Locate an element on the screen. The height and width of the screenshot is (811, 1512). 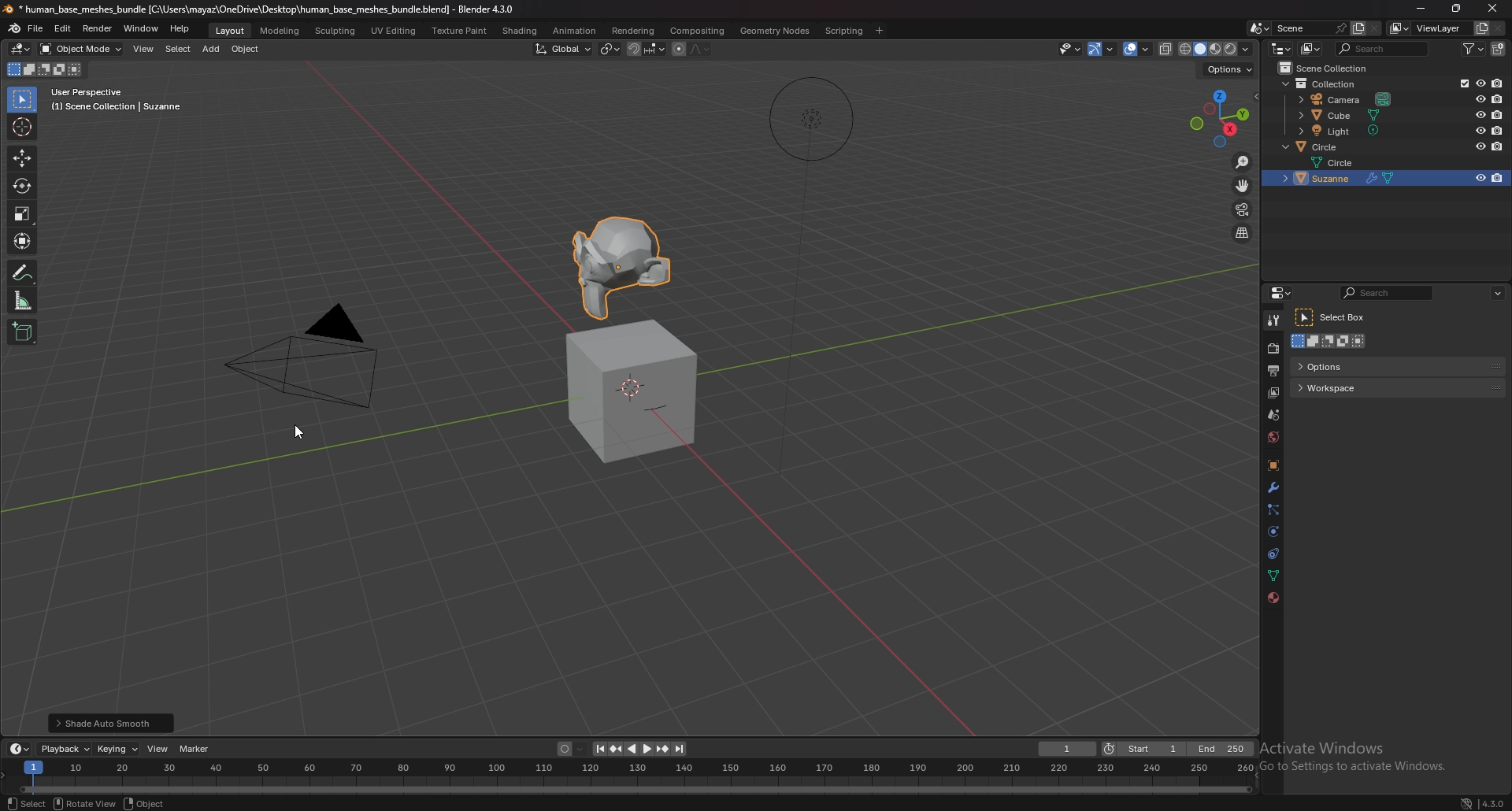
object is located at coordinates (157, 803).